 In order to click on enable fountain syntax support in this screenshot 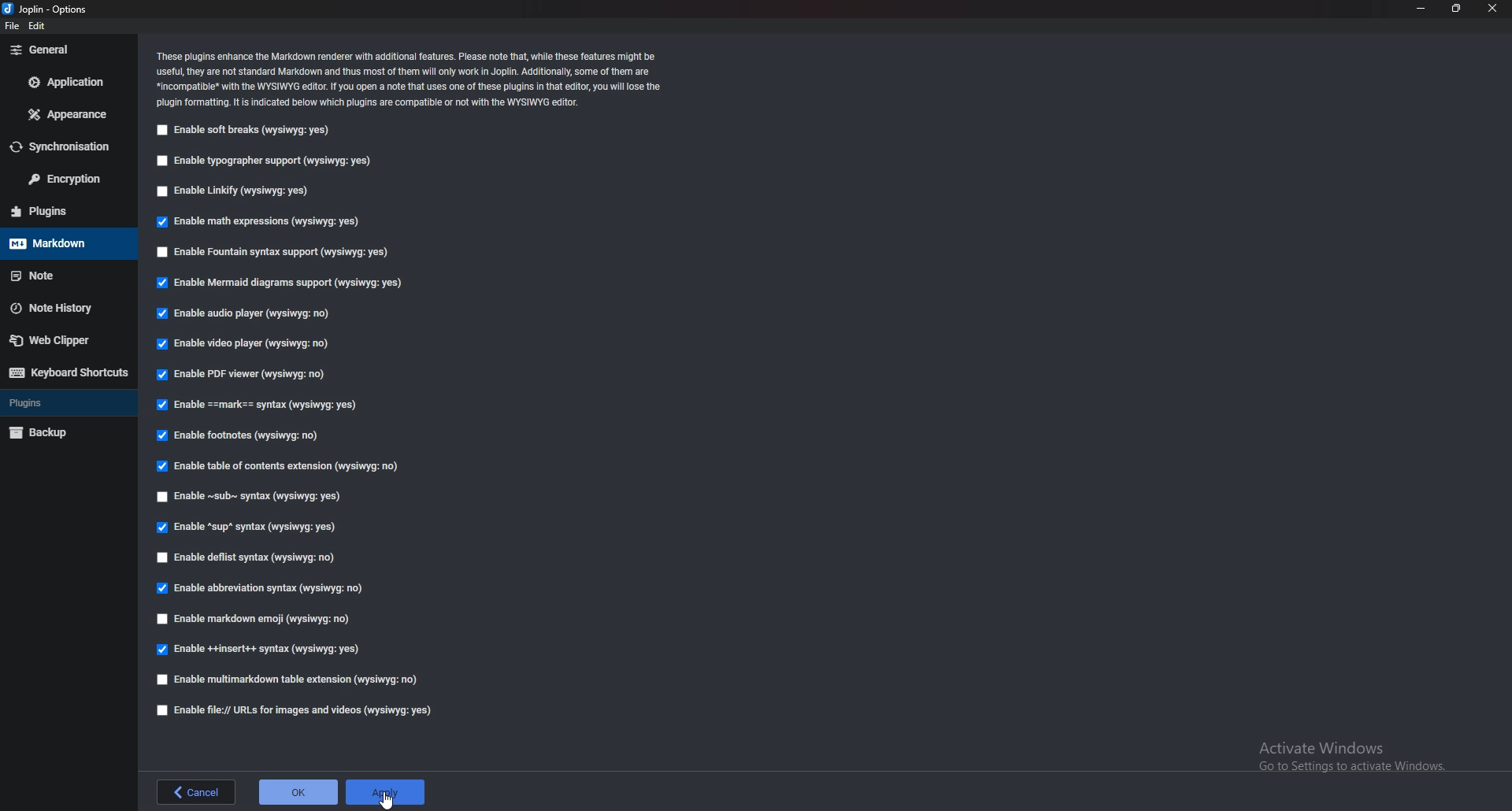, I will do `click(271, 250)`.